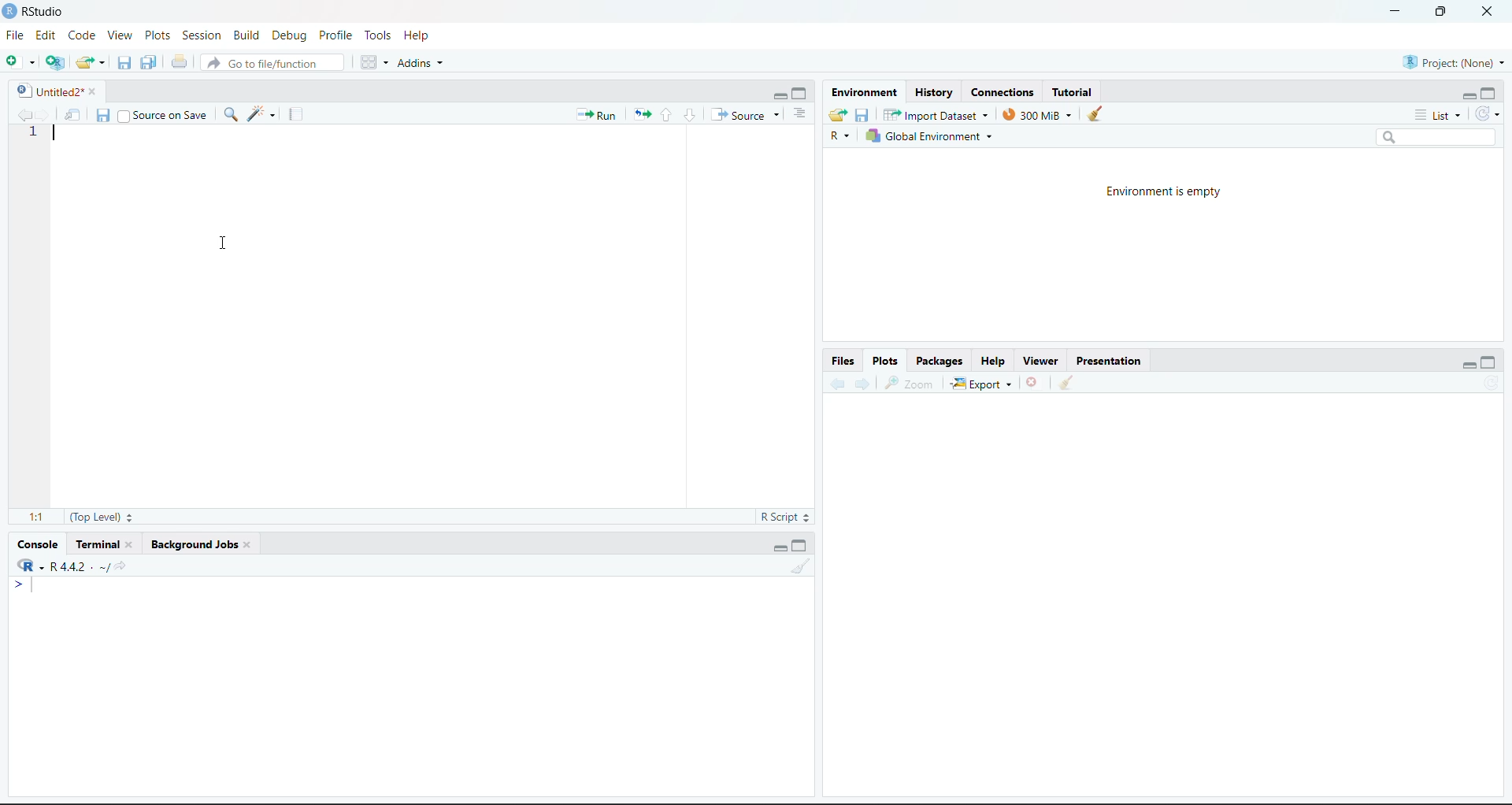 The image size is (1512, 805). I want to click on (Top Level) , so click(101, 517).